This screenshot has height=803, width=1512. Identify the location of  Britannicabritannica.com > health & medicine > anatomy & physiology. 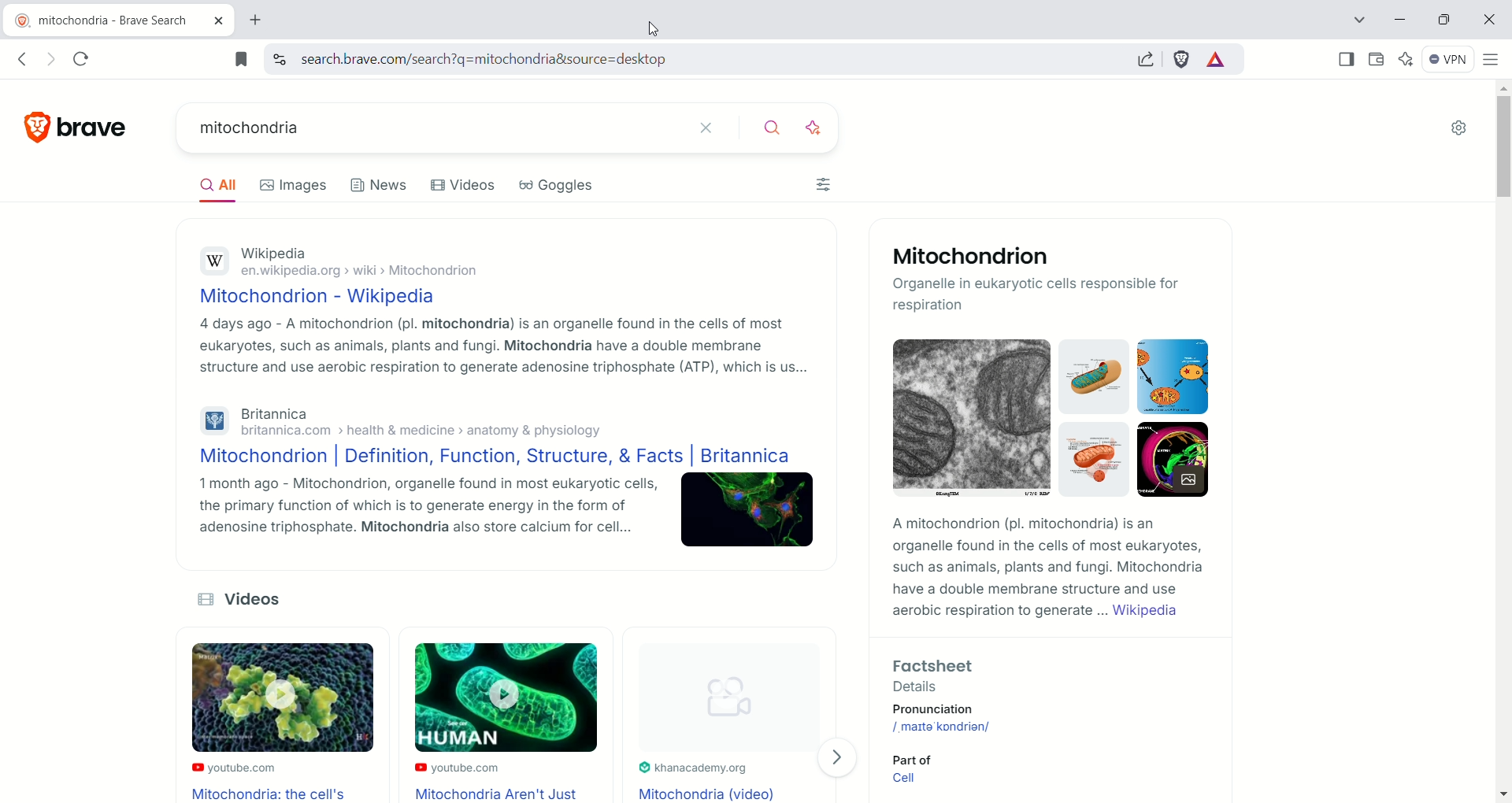
(400, 421).